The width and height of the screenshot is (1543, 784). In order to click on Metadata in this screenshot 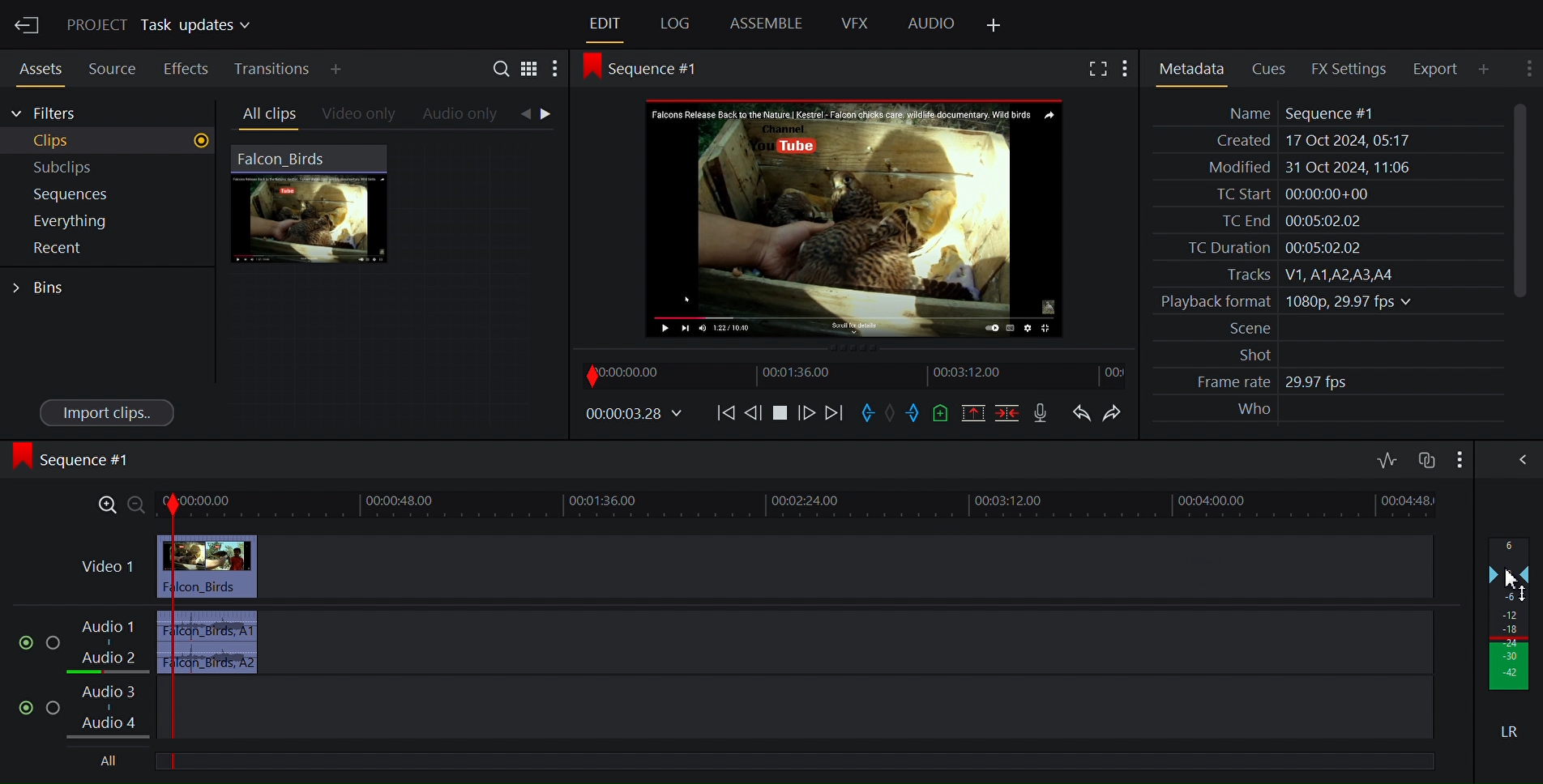, I will do `click(1191, 66)`.